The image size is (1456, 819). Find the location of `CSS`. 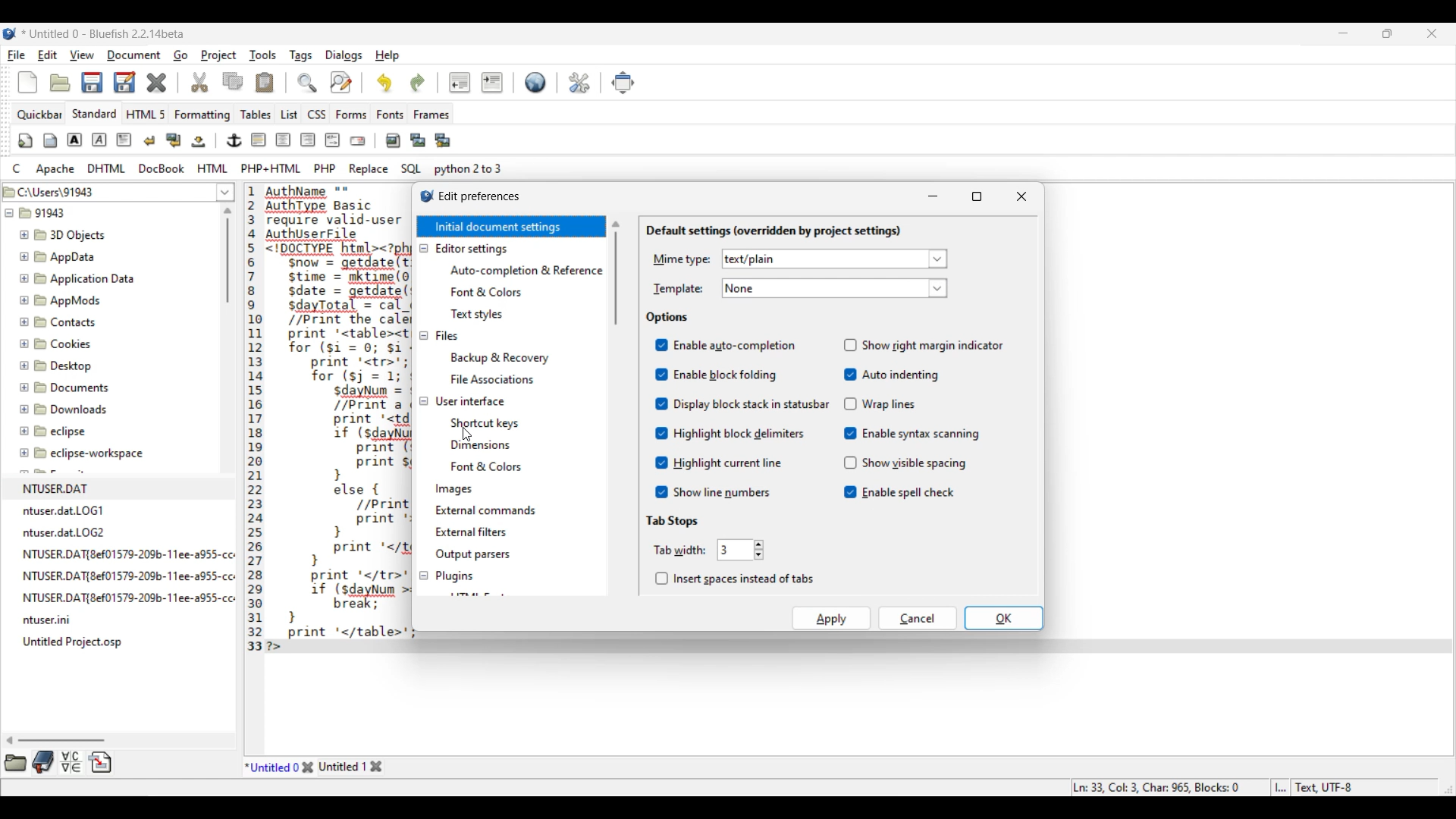

CSS is located at coordinates (316, 115).